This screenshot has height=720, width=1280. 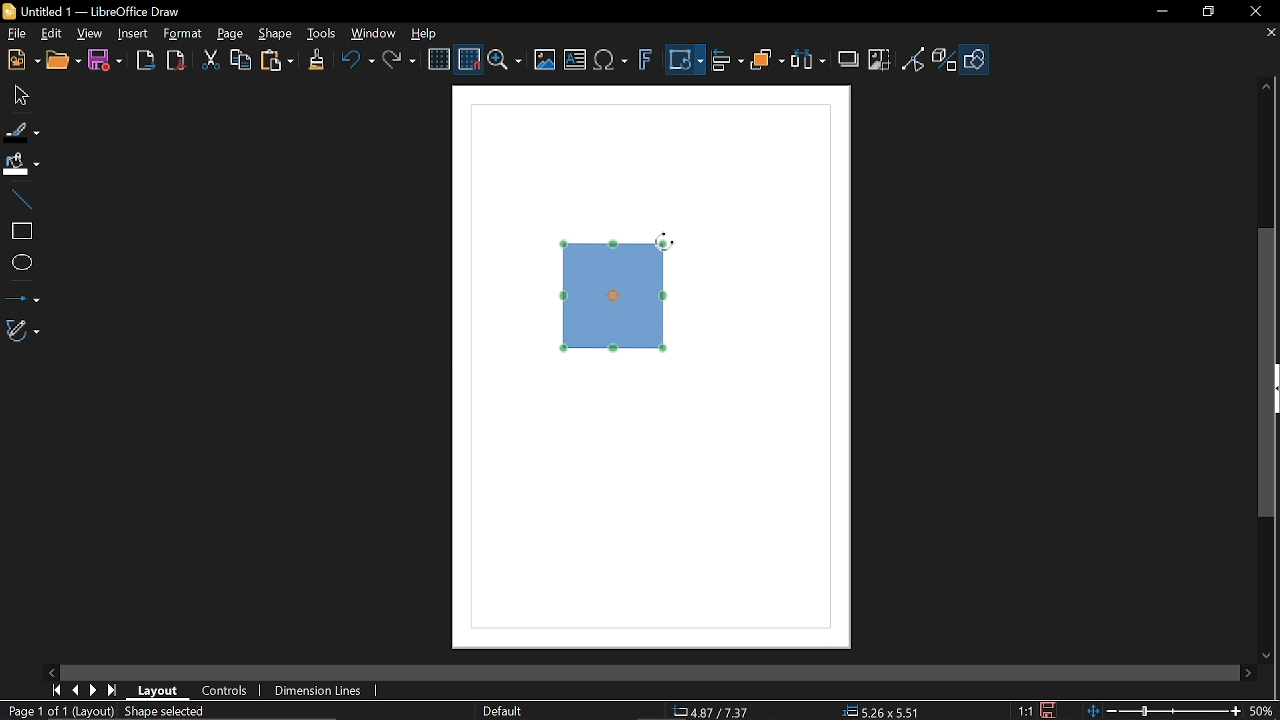 I want to click on Move up, so click(x=1267, y=87).